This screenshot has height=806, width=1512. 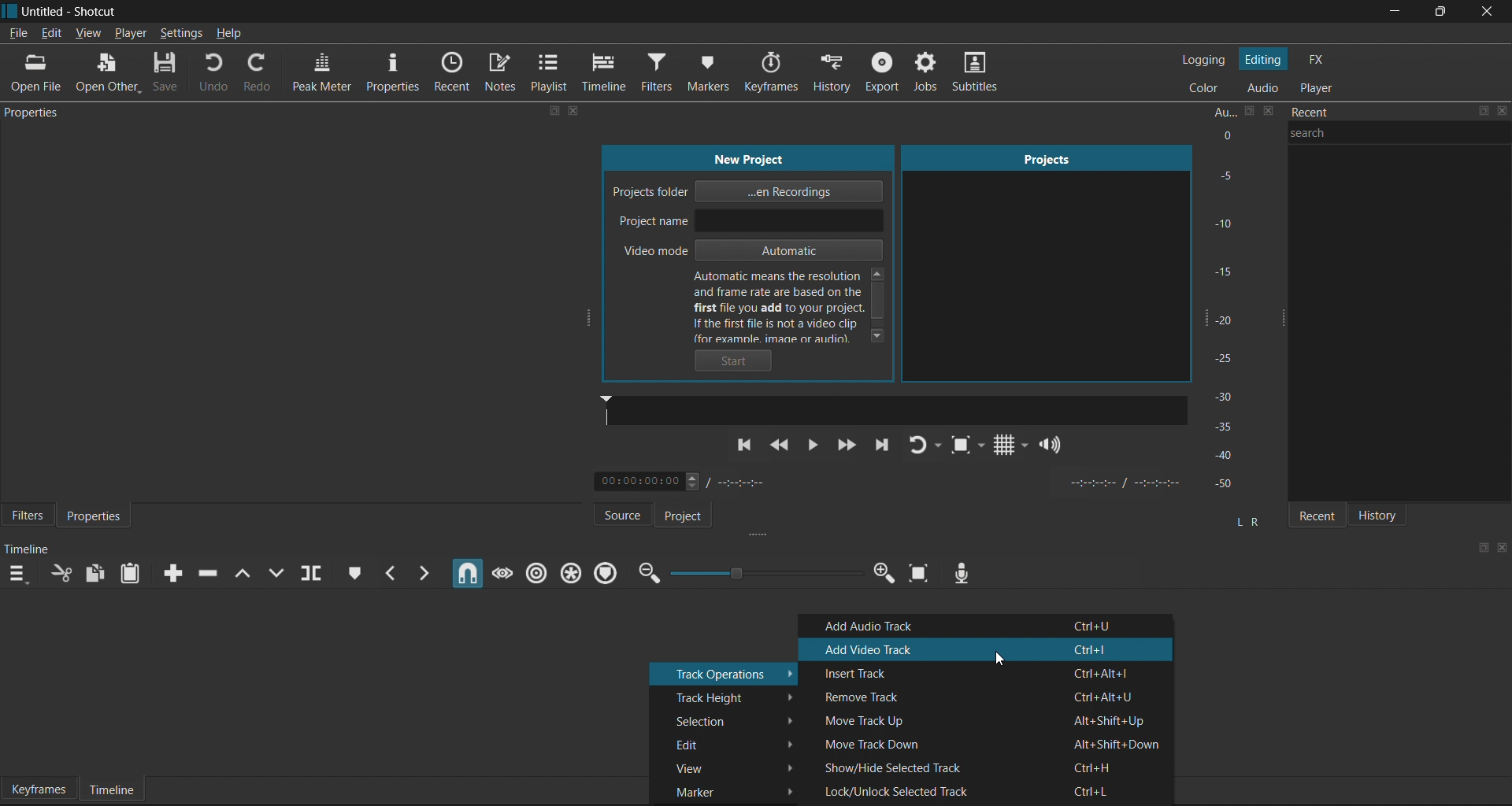 I want to click on Ripple delete, so click(x=212, y=570).